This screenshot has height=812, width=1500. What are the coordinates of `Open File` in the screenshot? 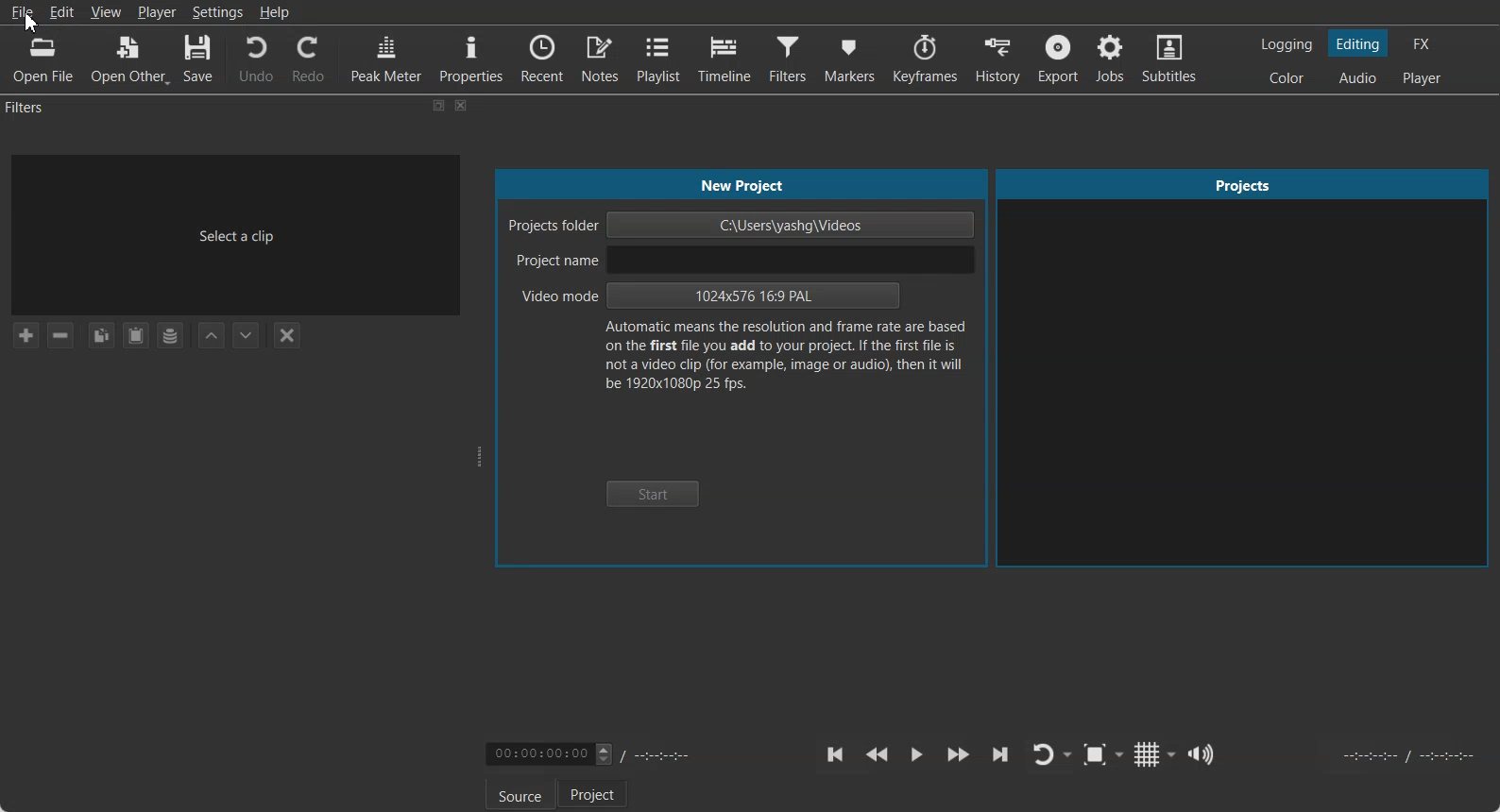 It's located at (45, 59).